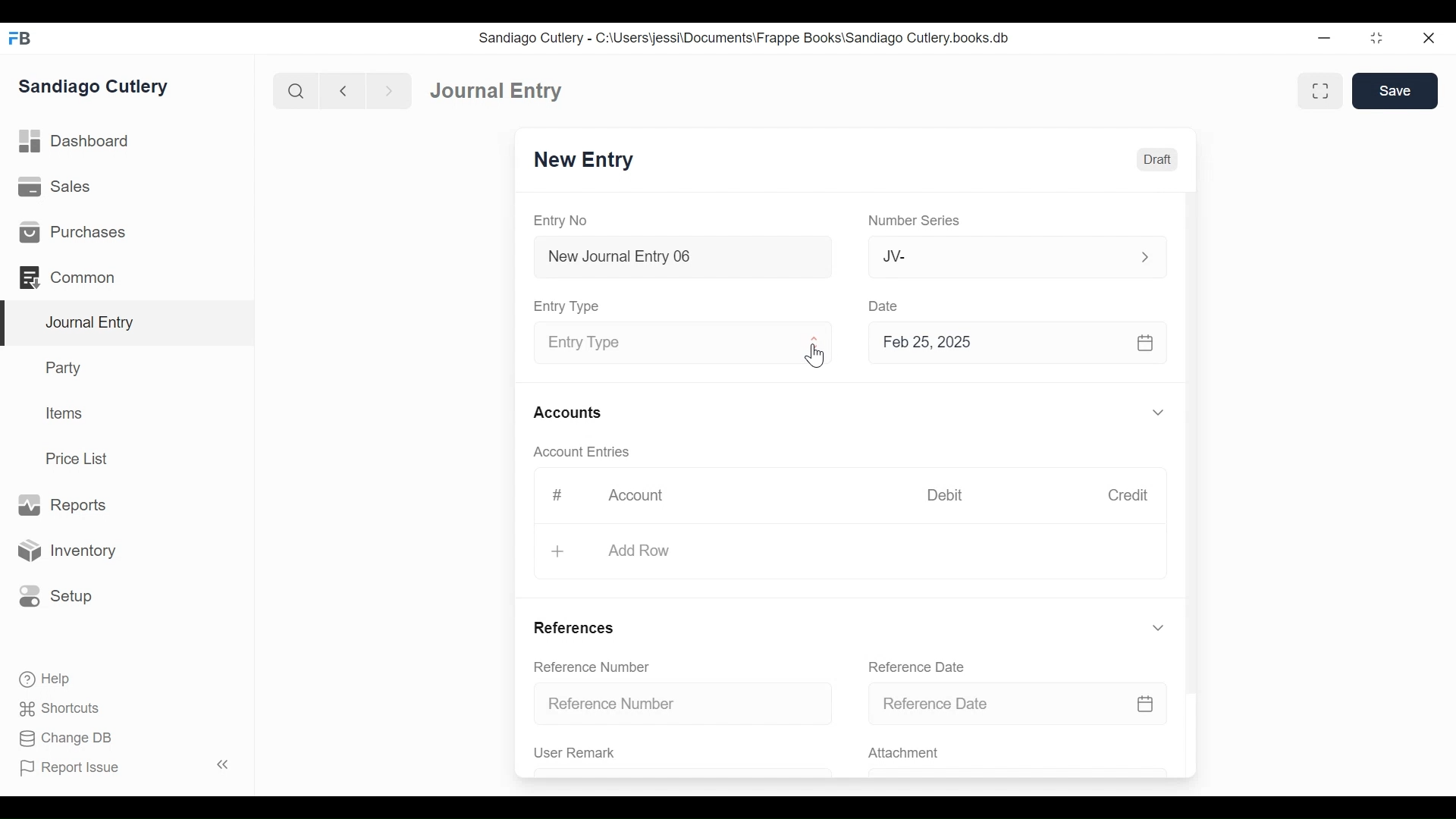 This screenshot has width=1456, height=819. Describe the element at coordinates (343, 93) in the screenshot. I see `Navigate back` at that location.